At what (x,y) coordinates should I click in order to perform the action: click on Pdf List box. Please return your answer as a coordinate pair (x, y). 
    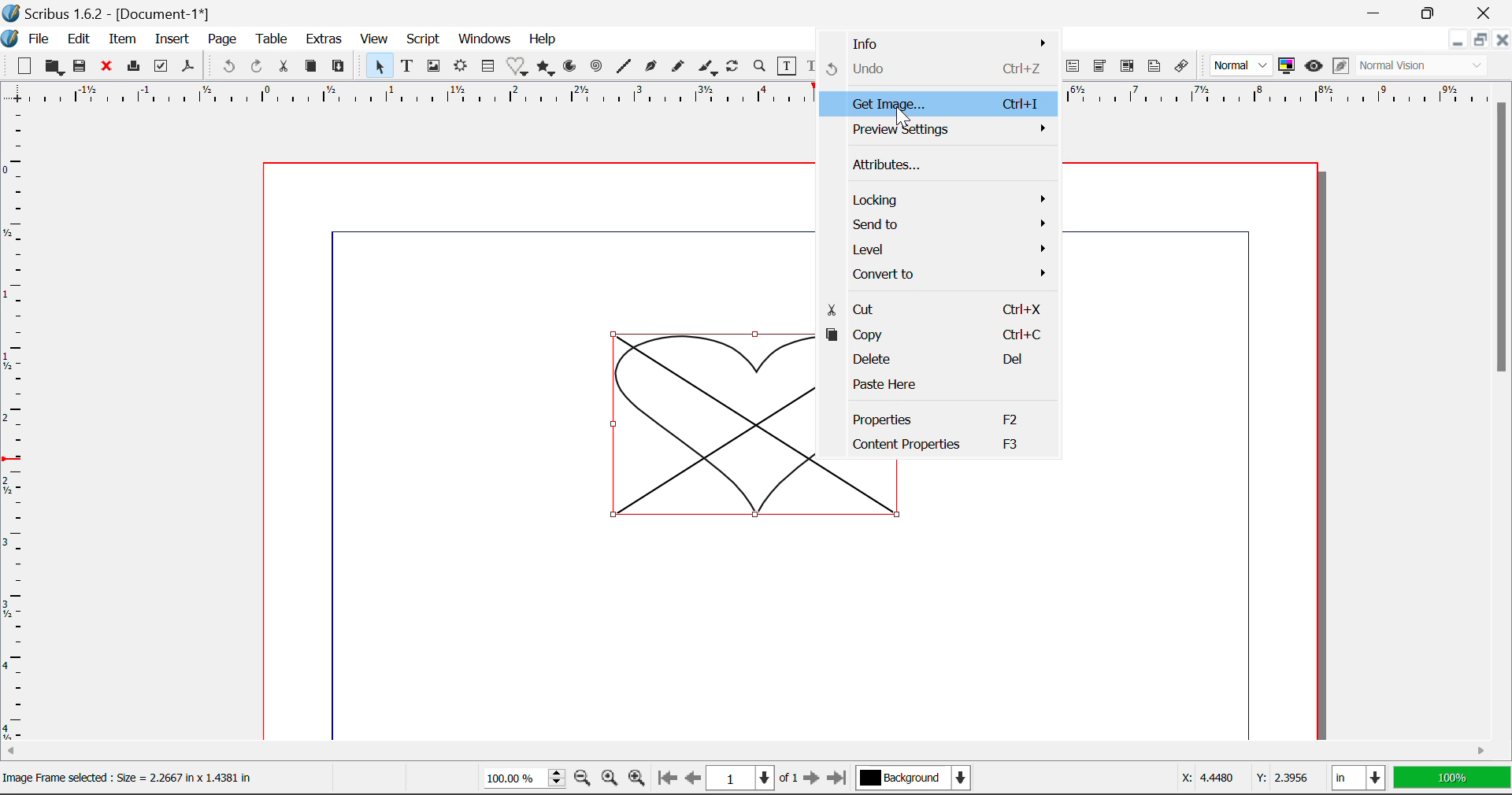
    Looking at the image, I should click on (1128, 68).